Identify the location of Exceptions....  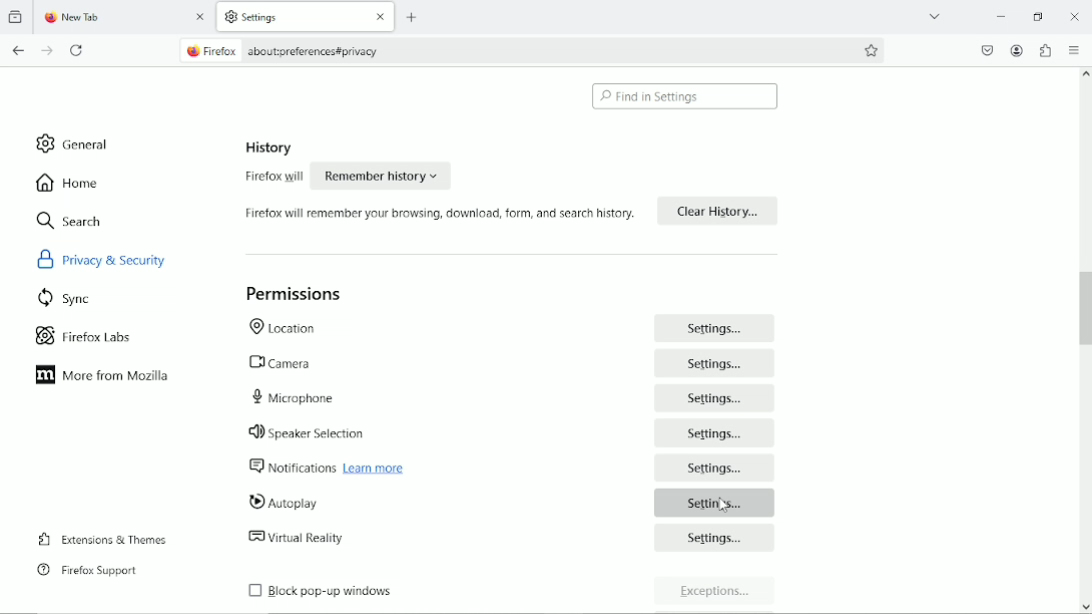
(717, 593).